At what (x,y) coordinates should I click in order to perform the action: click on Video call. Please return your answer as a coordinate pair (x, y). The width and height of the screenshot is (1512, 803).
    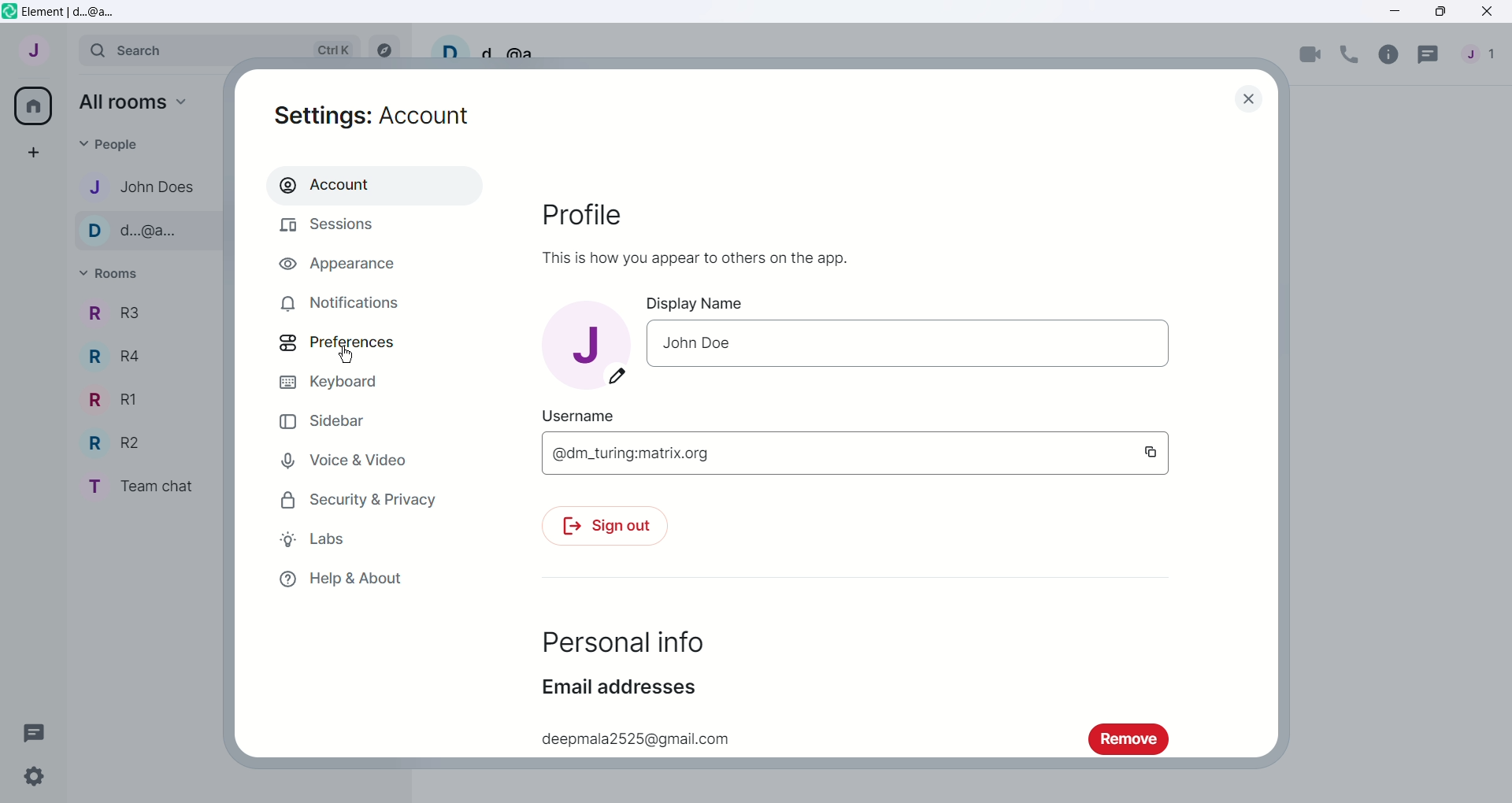
    Looking at the image, I should click on (1310, 56).